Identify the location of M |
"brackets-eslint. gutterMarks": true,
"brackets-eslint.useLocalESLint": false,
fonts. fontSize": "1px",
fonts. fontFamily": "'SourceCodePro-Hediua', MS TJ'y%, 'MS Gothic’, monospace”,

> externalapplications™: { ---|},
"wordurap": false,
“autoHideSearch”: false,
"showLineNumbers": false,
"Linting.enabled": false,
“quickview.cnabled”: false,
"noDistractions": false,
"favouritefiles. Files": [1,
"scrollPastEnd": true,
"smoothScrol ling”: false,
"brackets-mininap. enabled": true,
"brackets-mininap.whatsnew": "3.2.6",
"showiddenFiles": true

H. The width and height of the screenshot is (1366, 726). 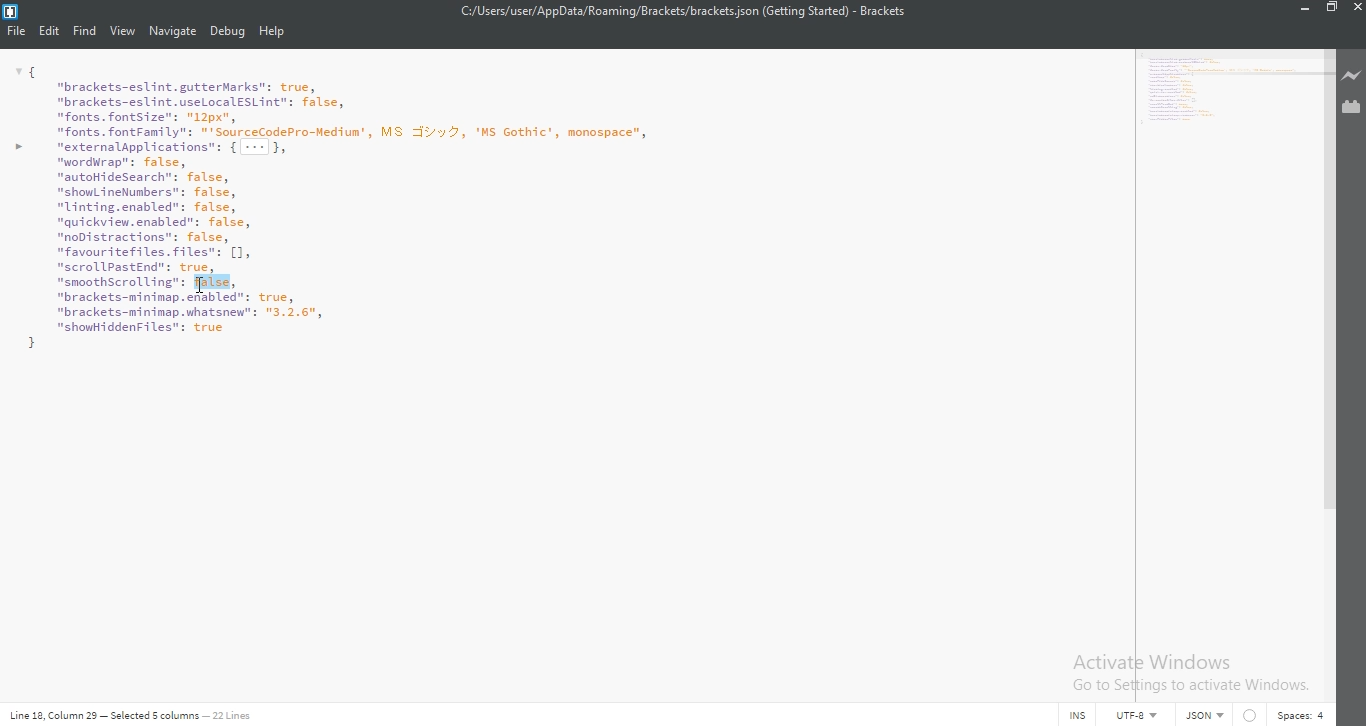
(562, 206).